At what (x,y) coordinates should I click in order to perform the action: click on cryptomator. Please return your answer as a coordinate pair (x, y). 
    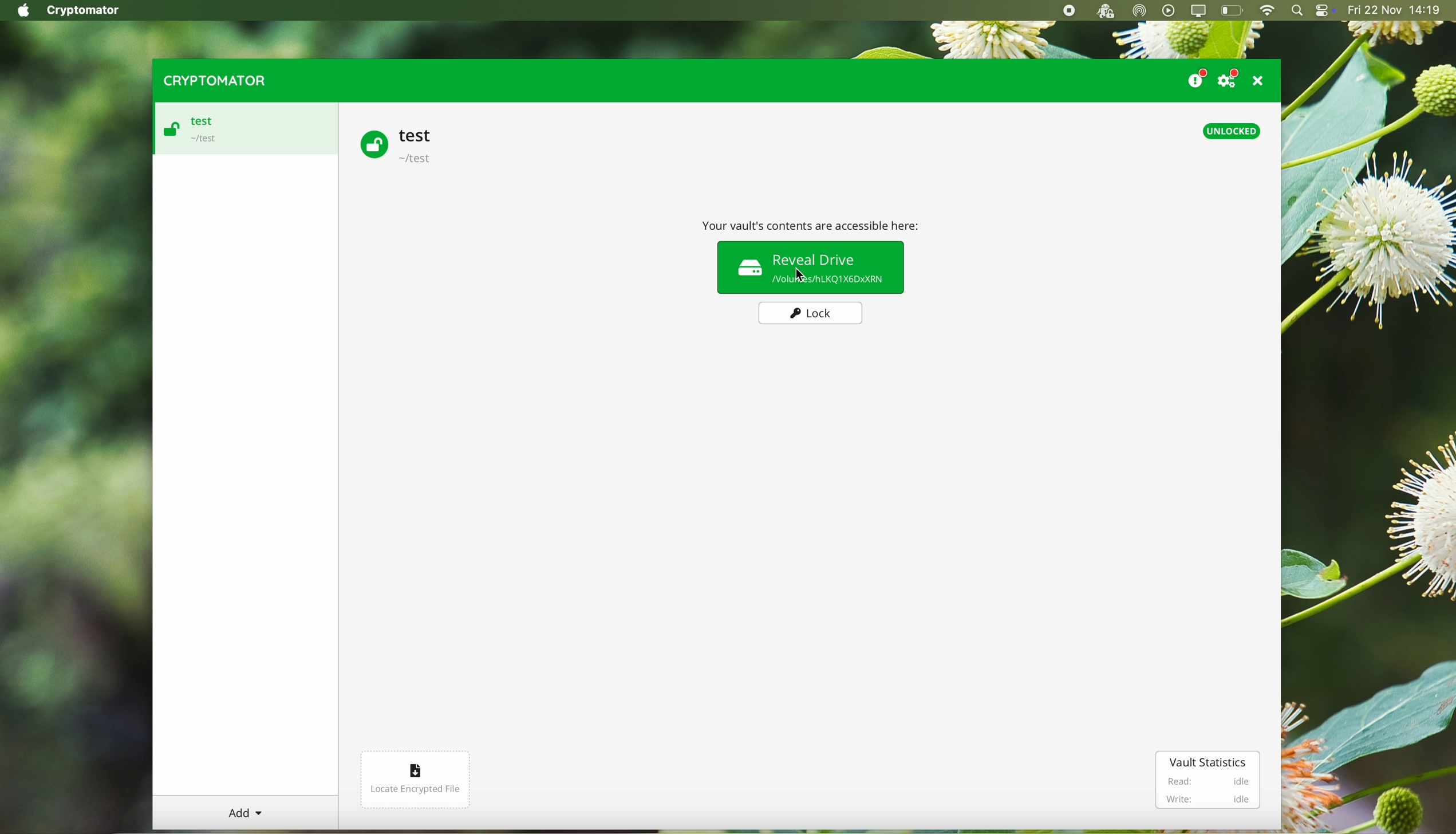
    Looking at the image, I should click on (212, 80).